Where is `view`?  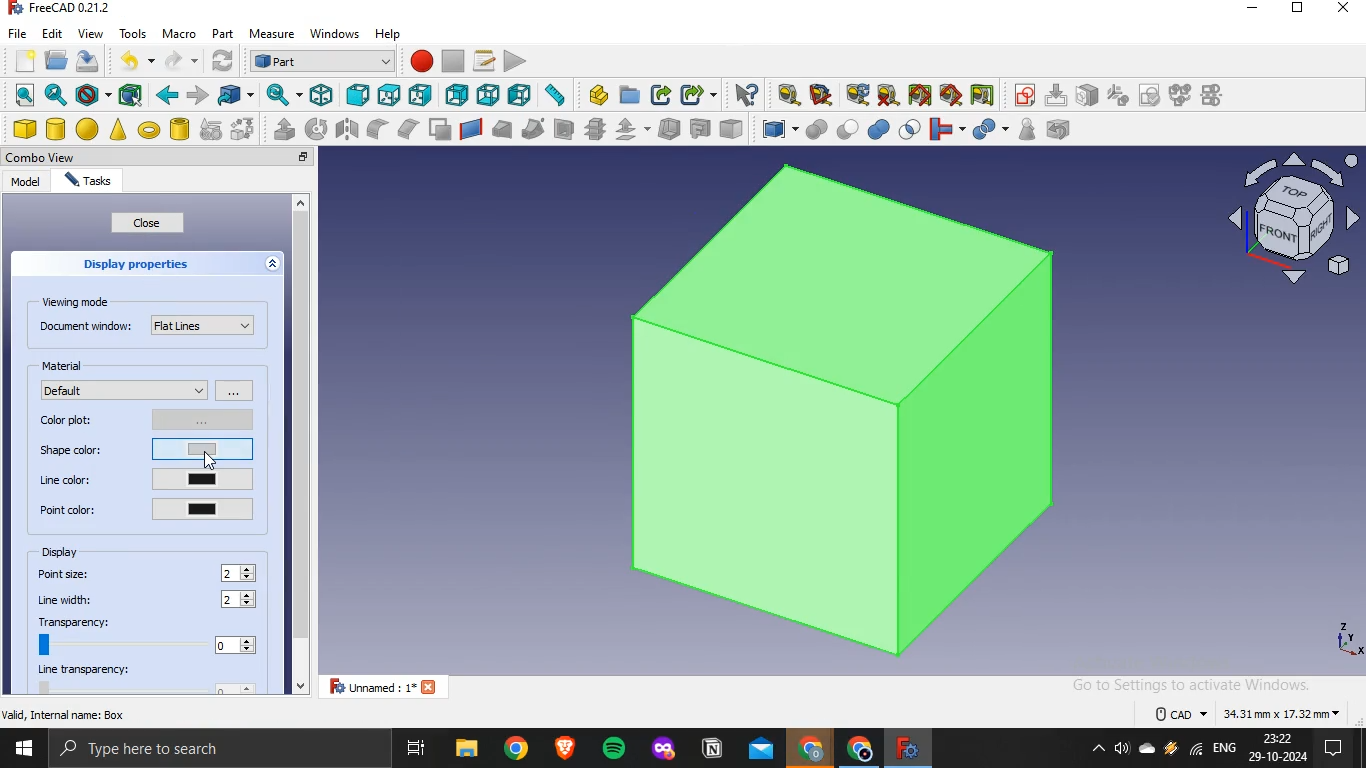
view is located at coordinates (90, 33).